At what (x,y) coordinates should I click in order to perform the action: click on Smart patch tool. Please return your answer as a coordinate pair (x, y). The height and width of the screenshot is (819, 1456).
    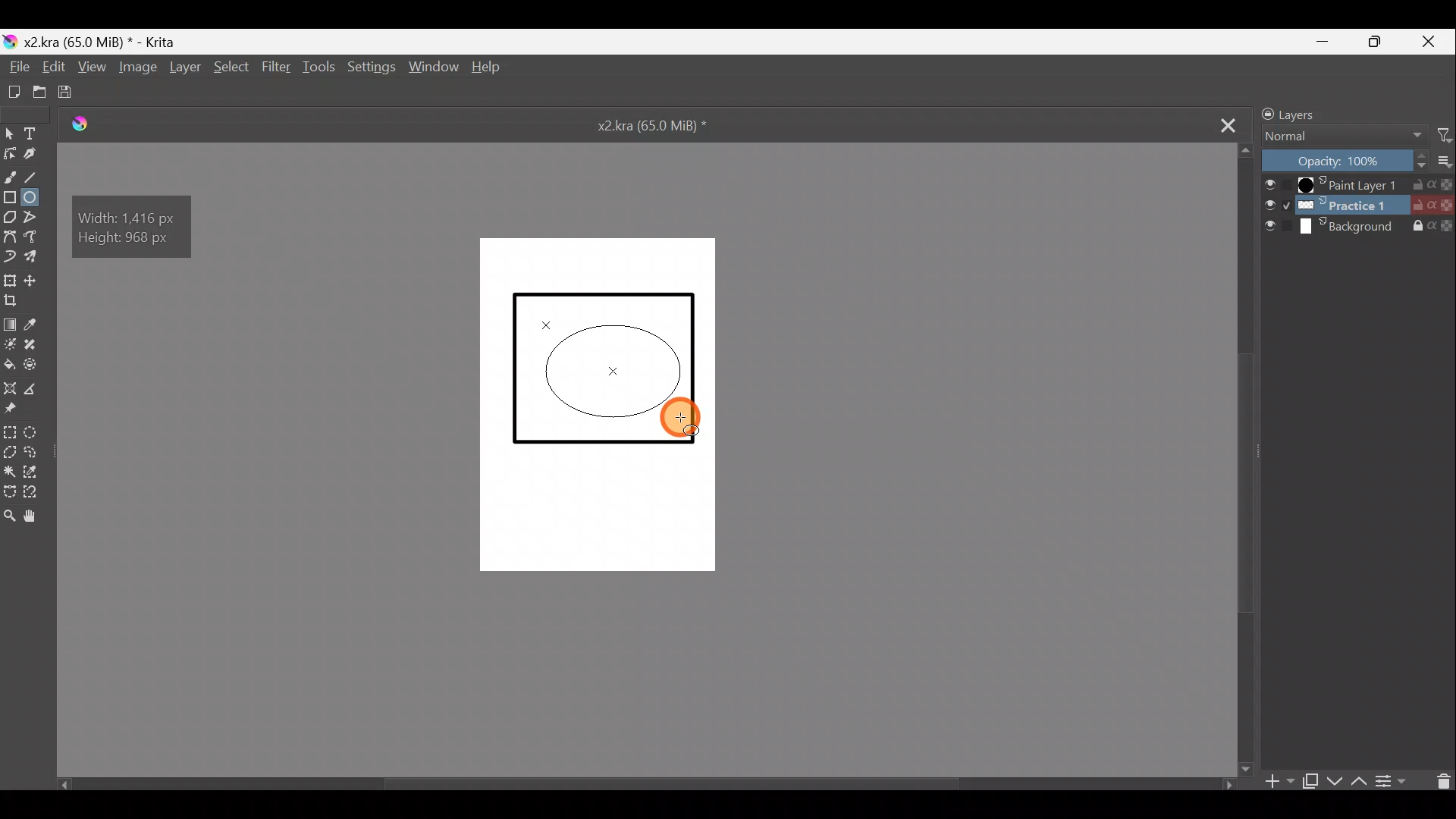
    Looking at the image, I should click on (35, 344).